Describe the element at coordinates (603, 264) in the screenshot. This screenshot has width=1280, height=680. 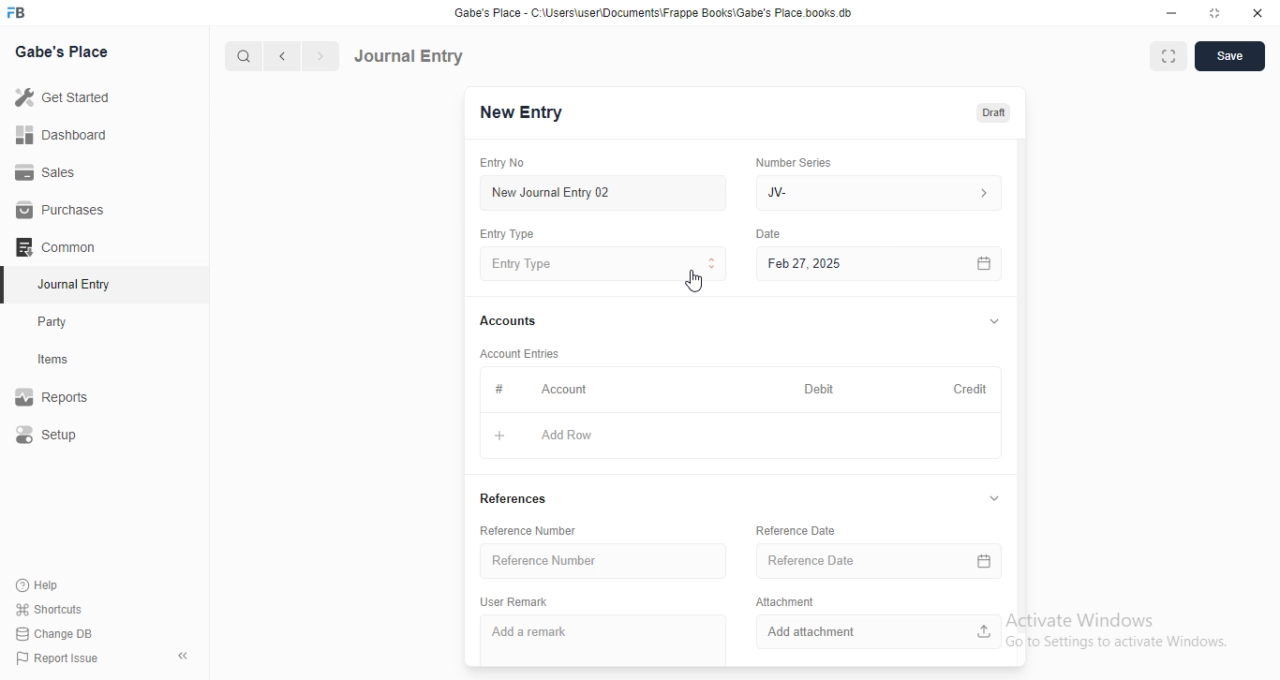
I see `Entry Type` at that location.